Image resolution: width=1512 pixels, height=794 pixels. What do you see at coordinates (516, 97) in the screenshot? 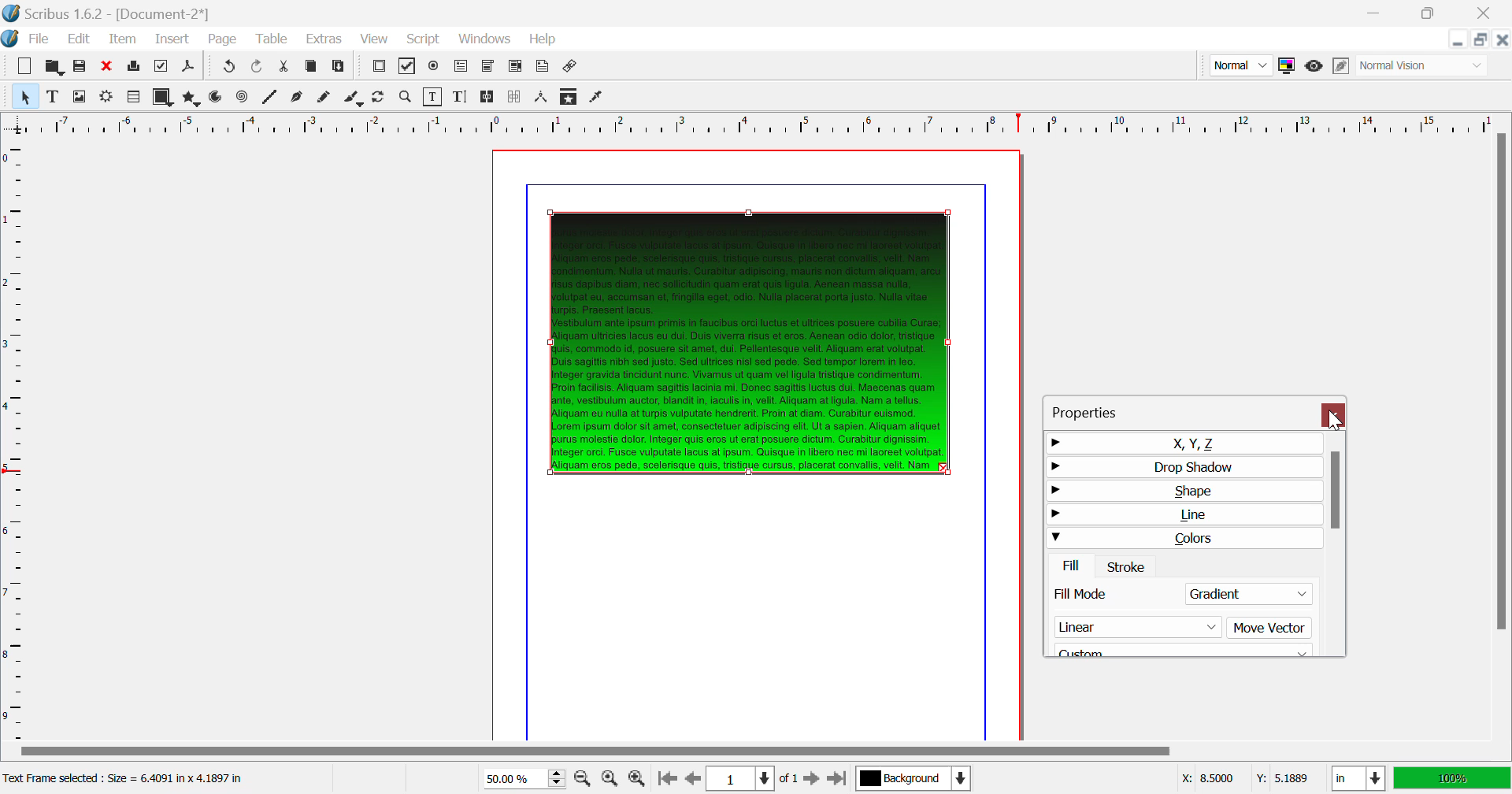
I see `Delink Frames` at bounding box center [516, 97].